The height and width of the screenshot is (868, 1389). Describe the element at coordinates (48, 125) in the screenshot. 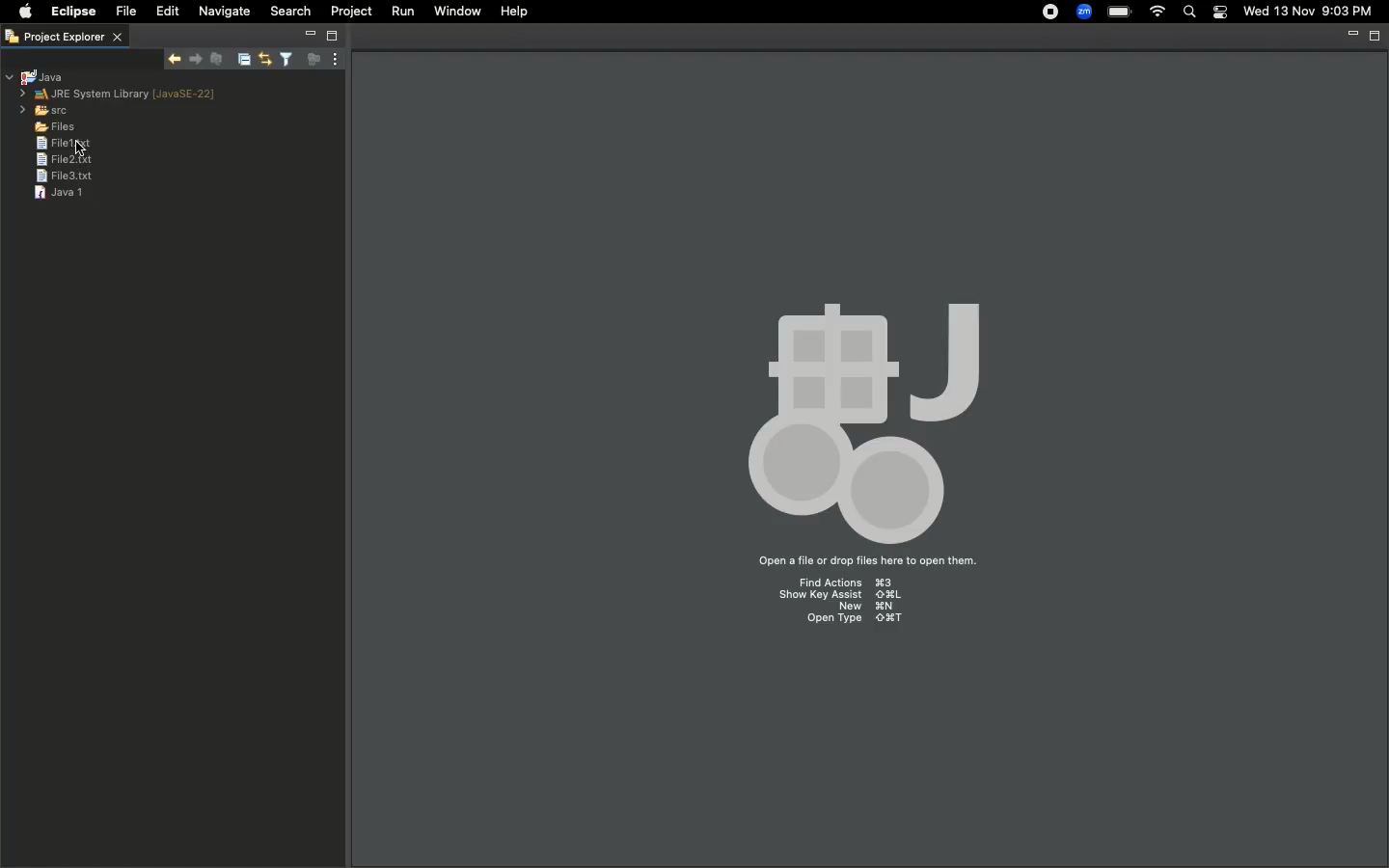

I see `Files` at that location.